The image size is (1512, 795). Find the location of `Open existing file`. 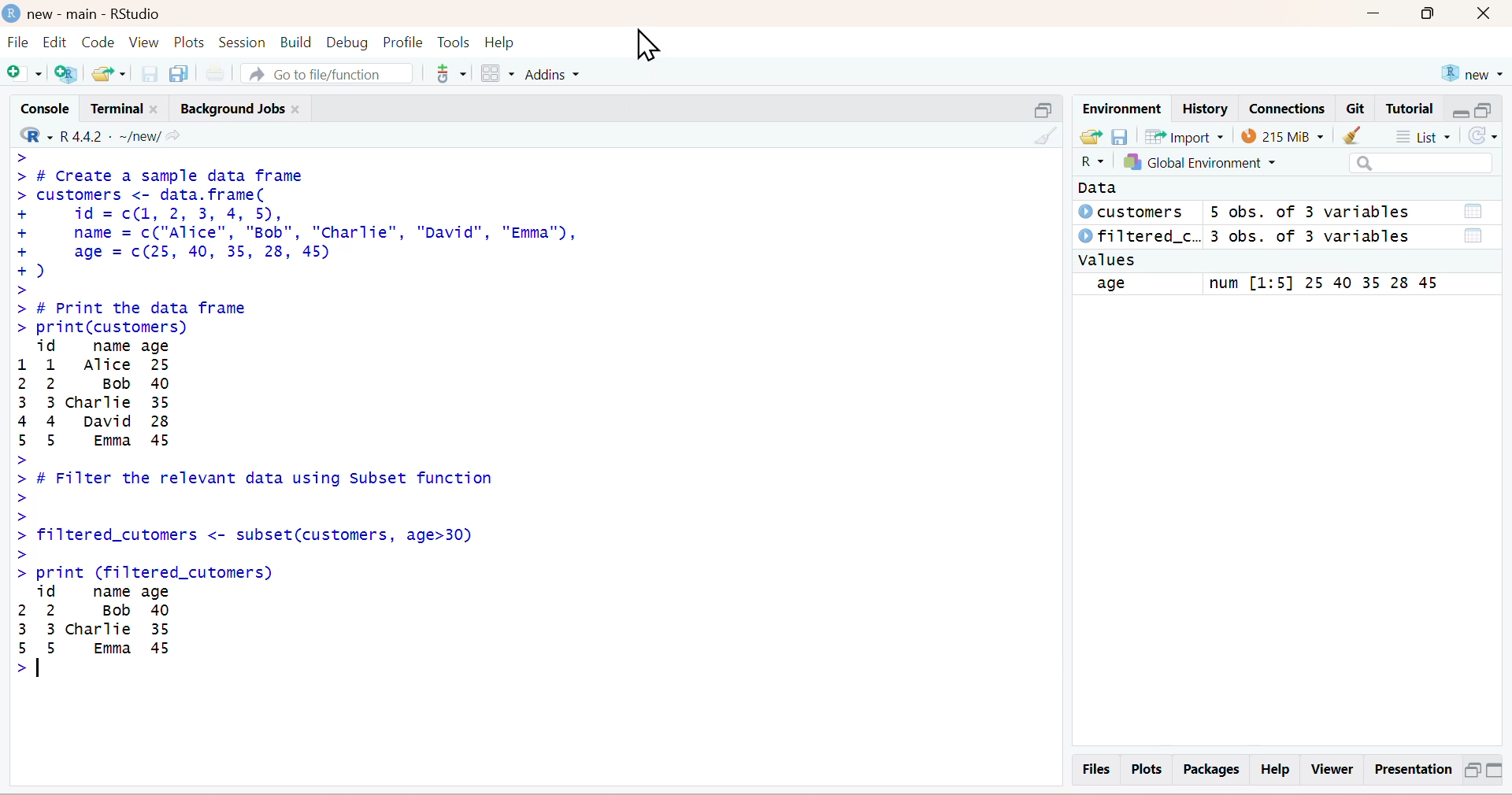

Open existing file is located at coordinates (111, 72).